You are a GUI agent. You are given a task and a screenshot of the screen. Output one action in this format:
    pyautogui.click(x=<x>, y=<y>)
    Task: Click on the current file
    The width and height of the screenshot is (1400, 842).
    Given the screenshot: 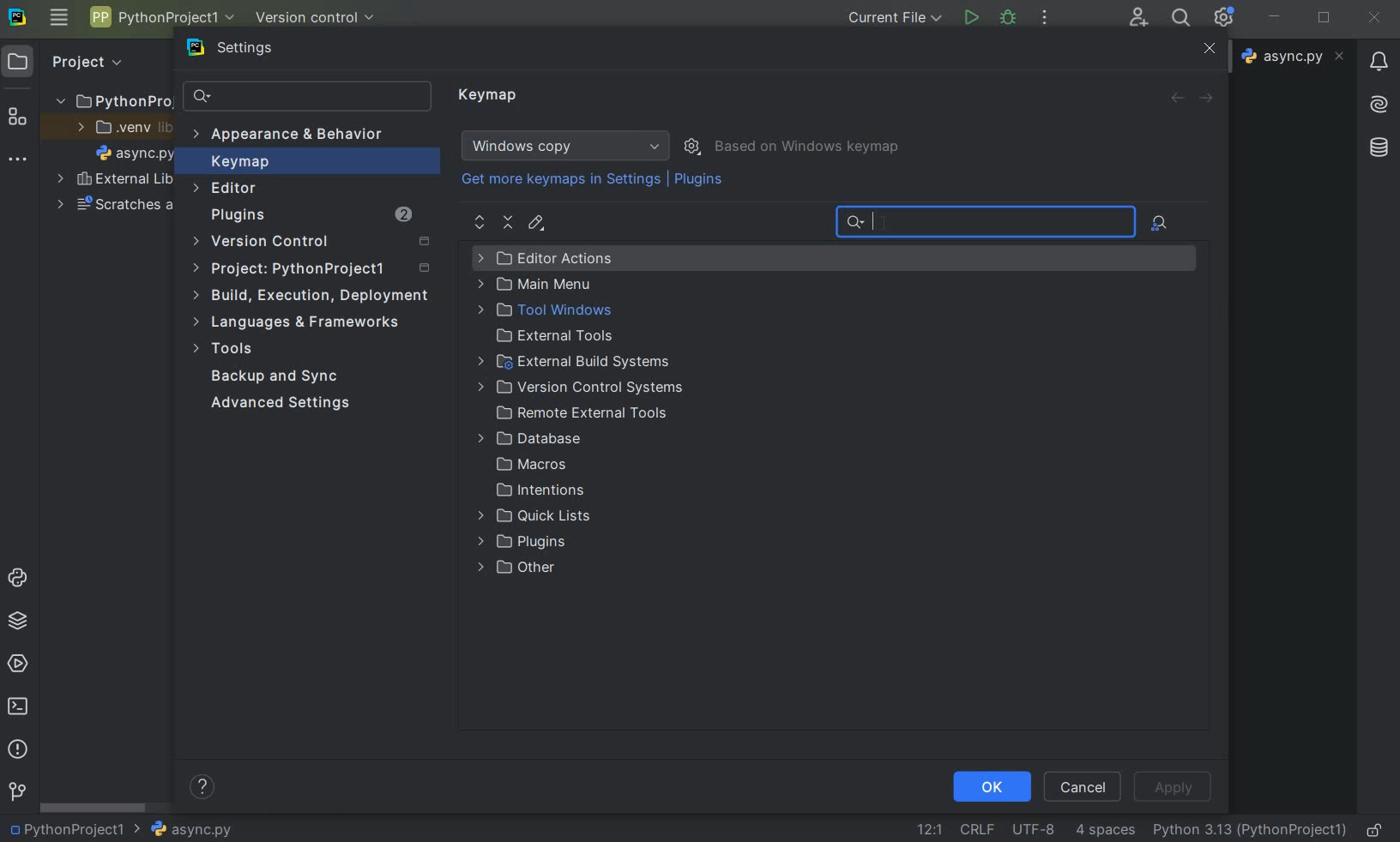 What is the action you would take?
    pyautogui.click(x=896, y=17)
    